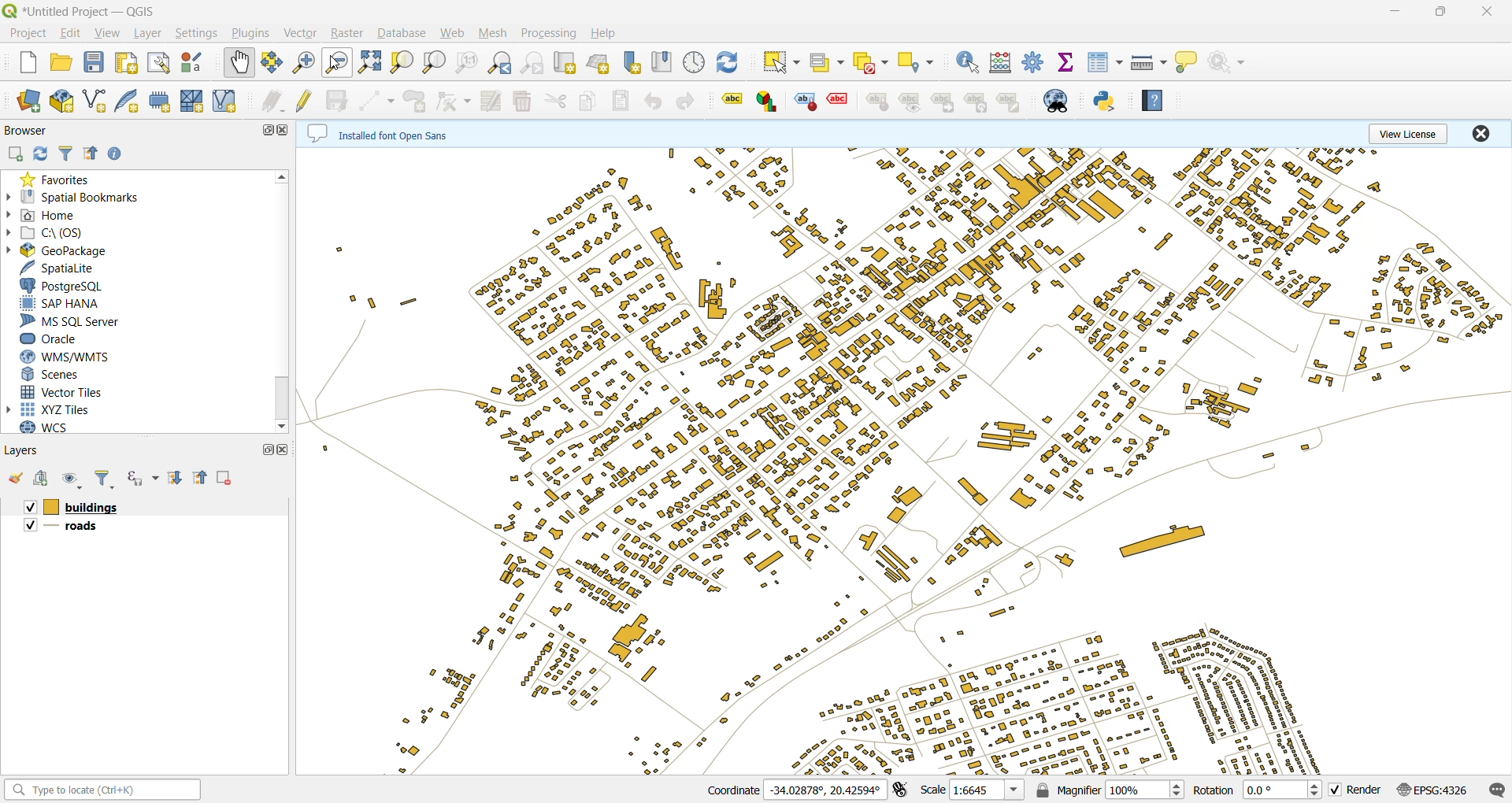 This screenshot has width=1512, height=803. What do you see at coordinates (225, 477) in the screenshot?
I see `delete layer` at bounding box center [225, 477].